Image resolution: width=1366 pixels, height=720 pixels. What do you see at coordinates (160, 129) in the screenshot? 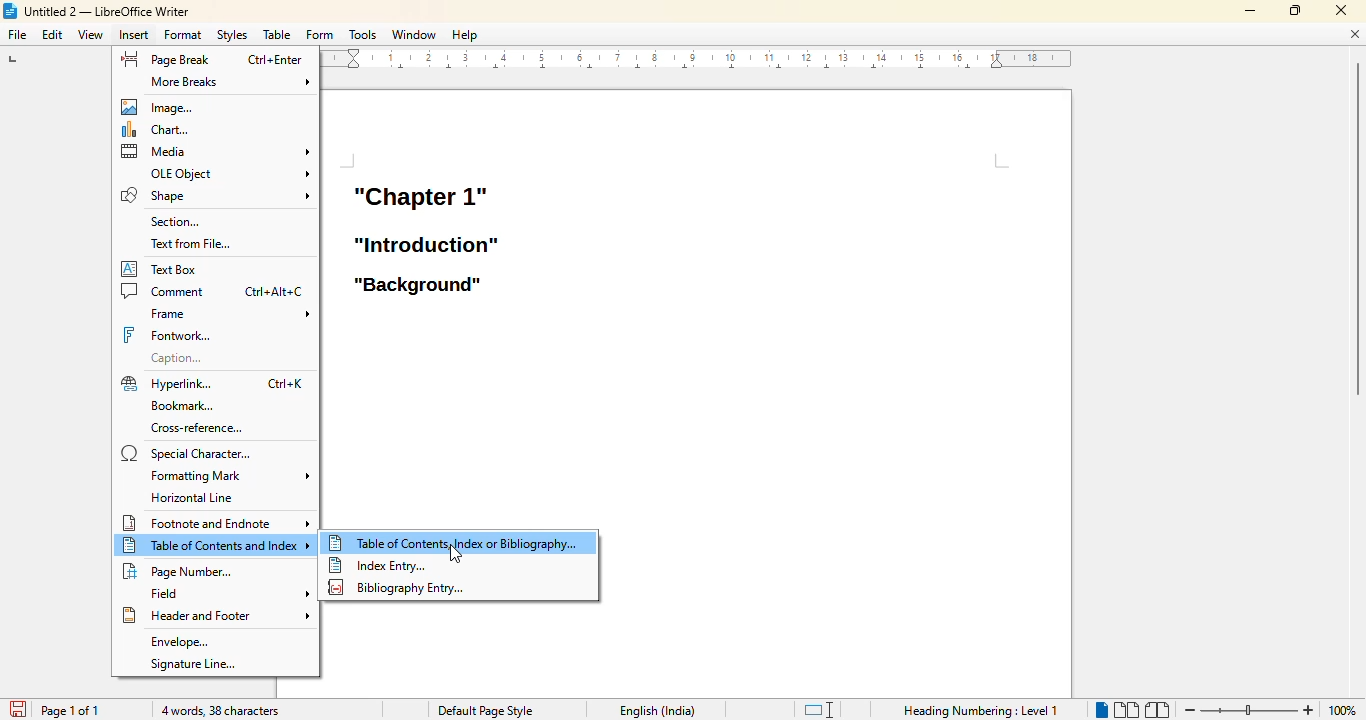
I see `chart` at bounding box center [160, 129].